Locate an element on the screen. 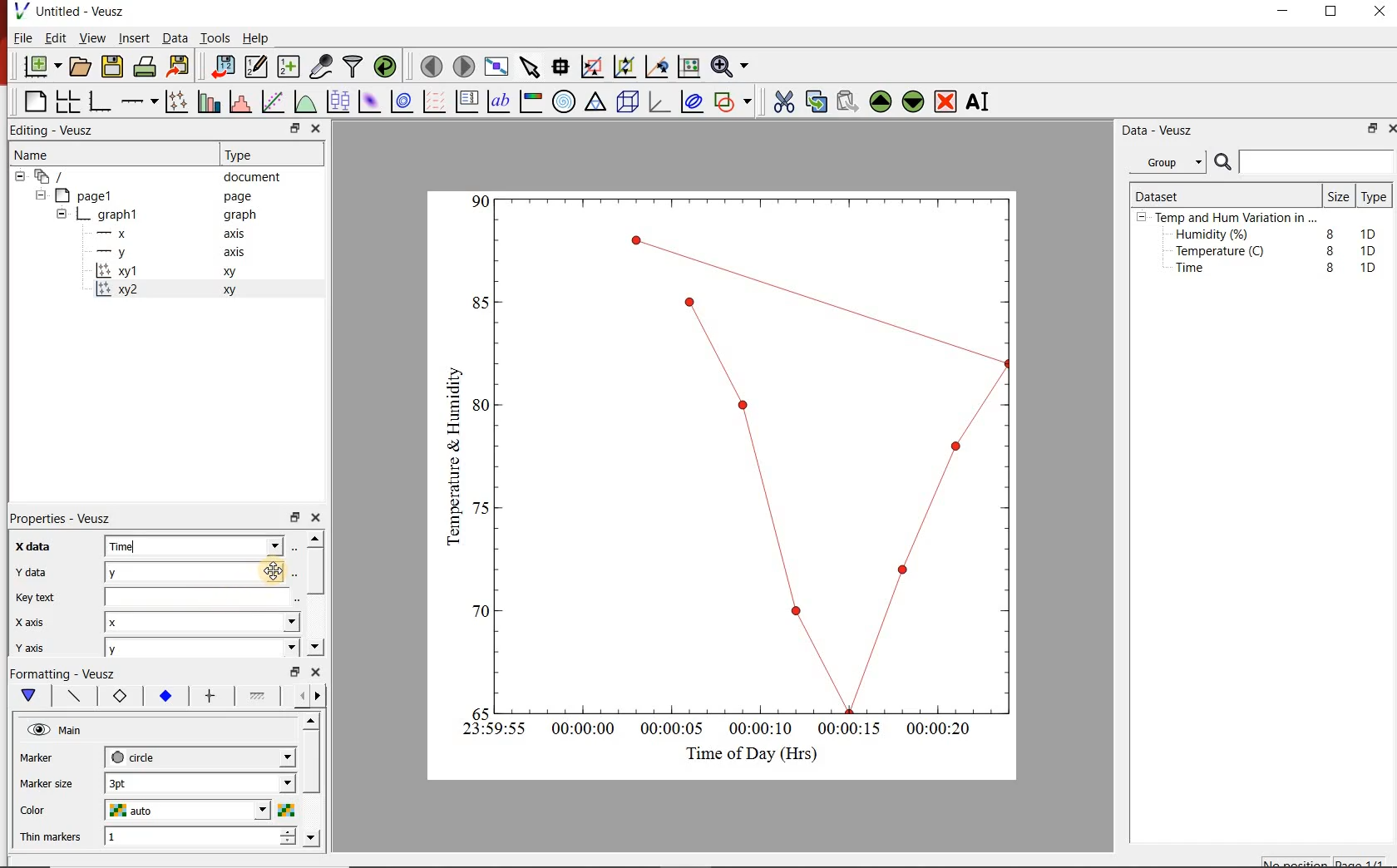 This screenshot has height=868, width=1397. Type is located at coordinates (249, 155).